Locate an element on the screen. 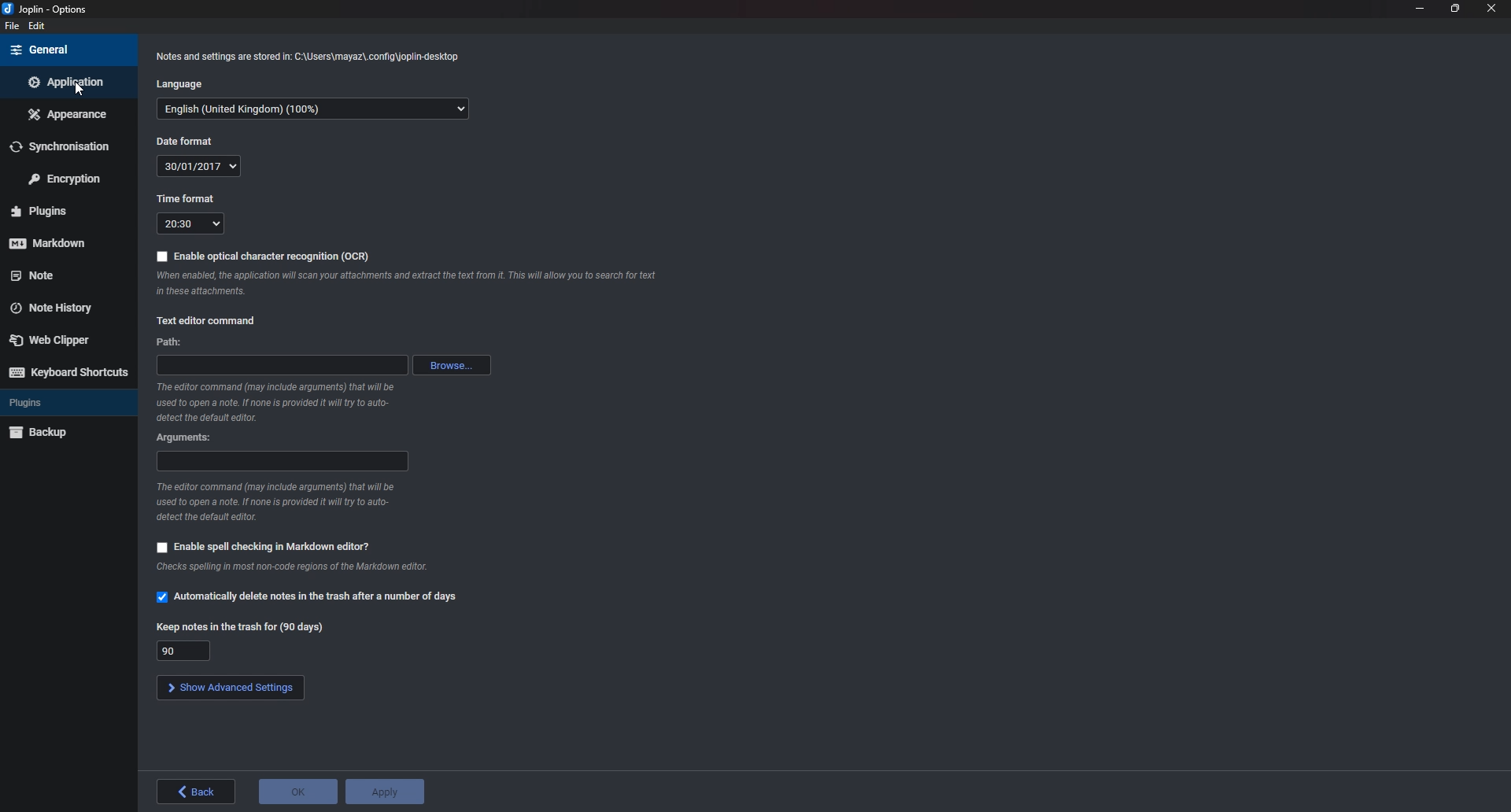 Image resolution: width=1511 pixels, height=812 pixels. browse is located at coordinates (451, 365).